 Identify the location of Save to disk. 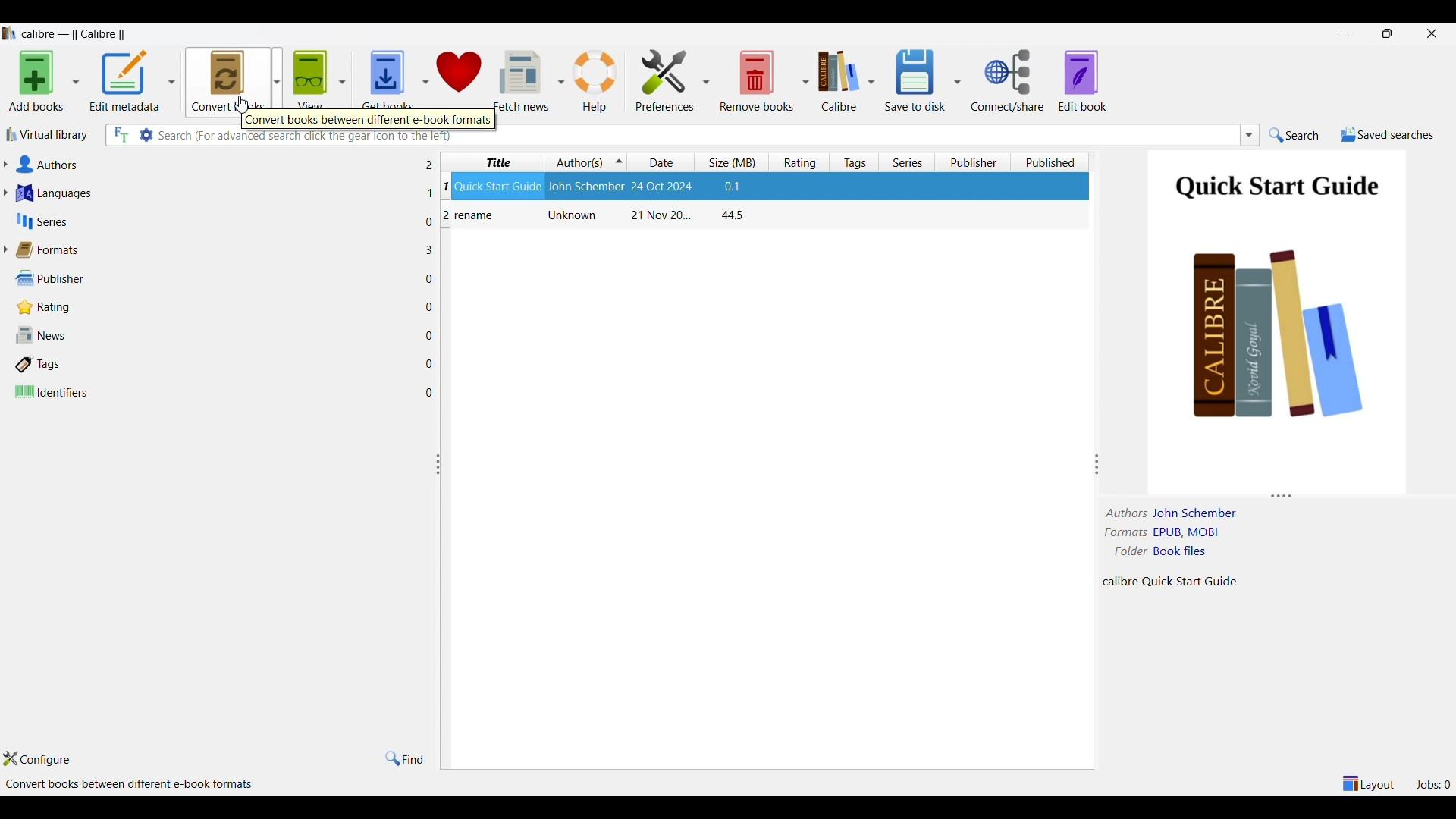
(915, 80).